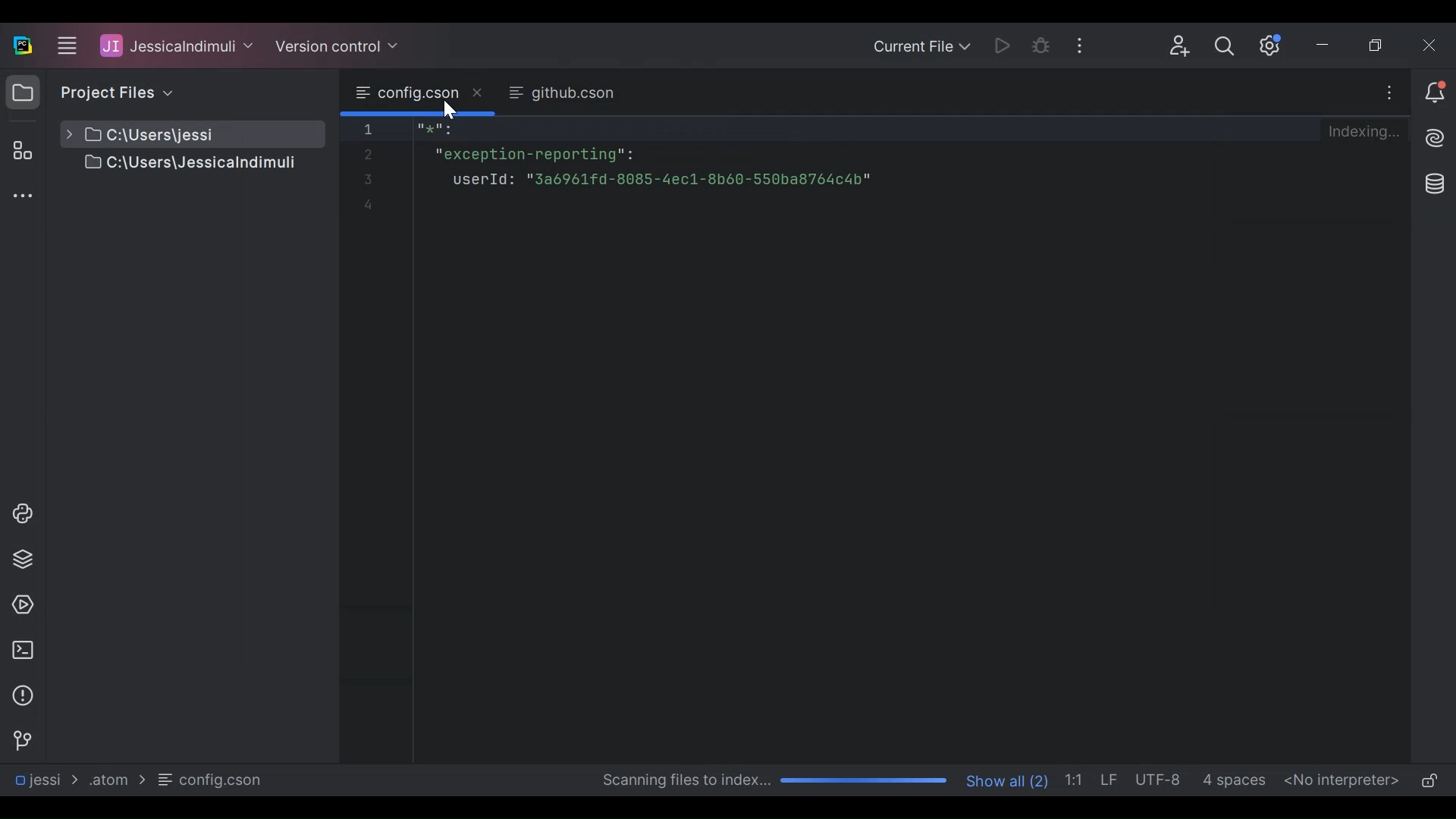 Image resolution: width=1456 pixels, height=819 pixels. Describe the element at coordinates (174, 165) in the screenshot. I see `Project File` at that location.